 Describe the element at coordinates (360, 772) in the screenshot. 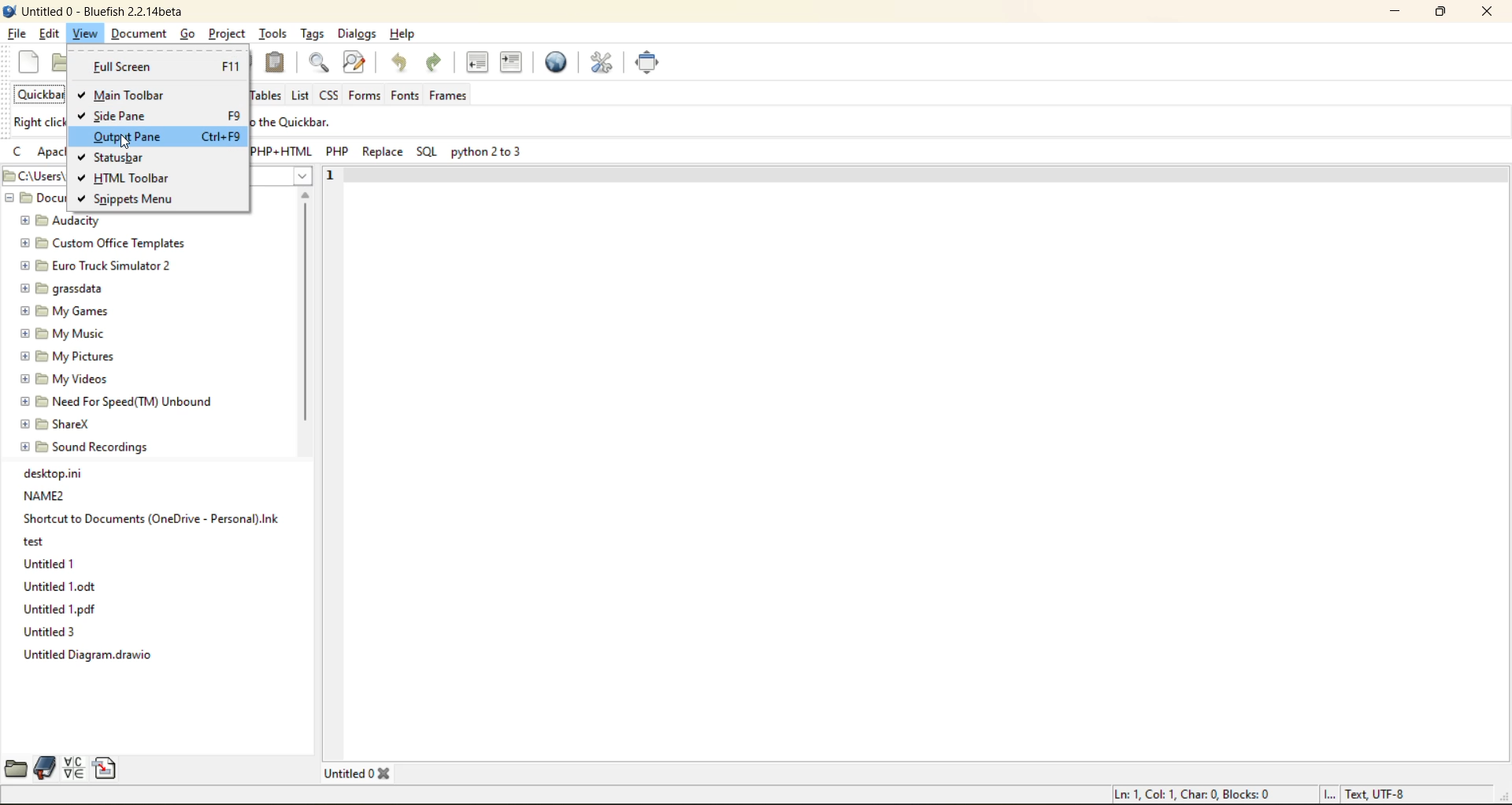

I see `tab name` at that location.